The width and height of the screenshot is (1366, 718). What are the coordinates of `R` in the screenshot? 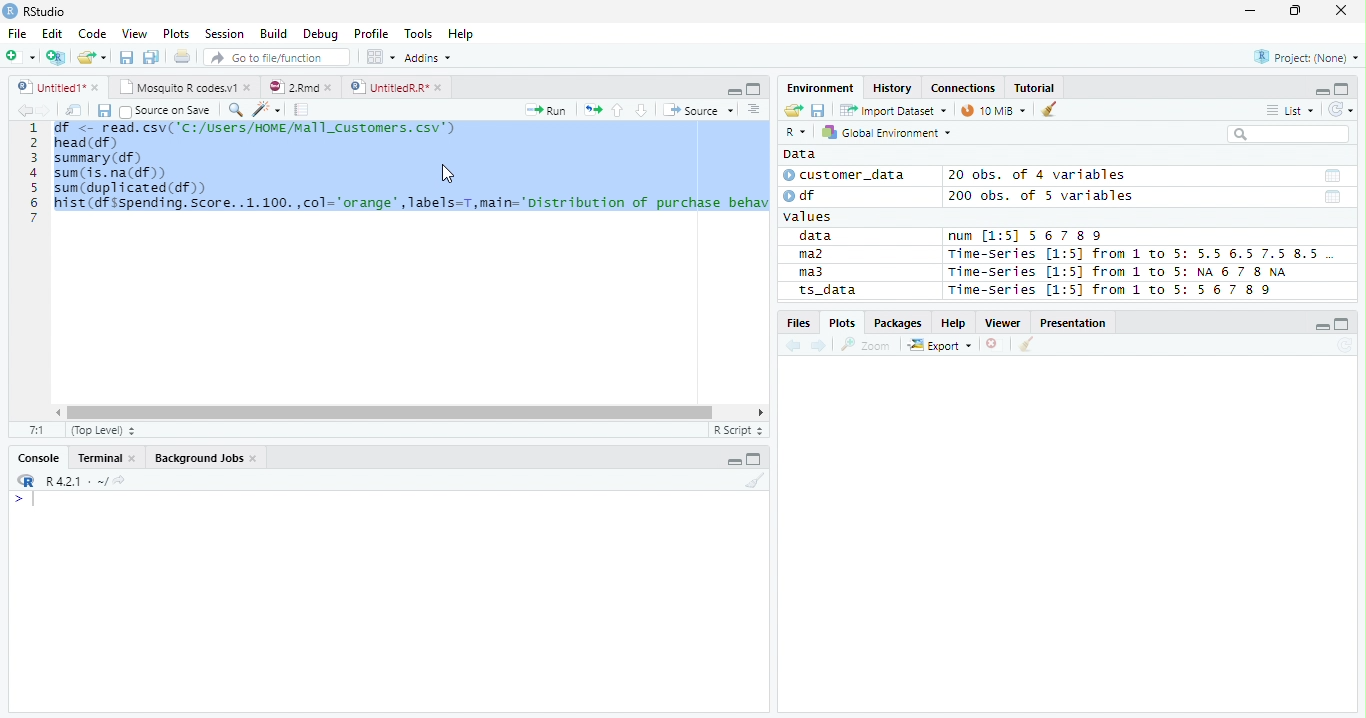 It's located at (24, 481).